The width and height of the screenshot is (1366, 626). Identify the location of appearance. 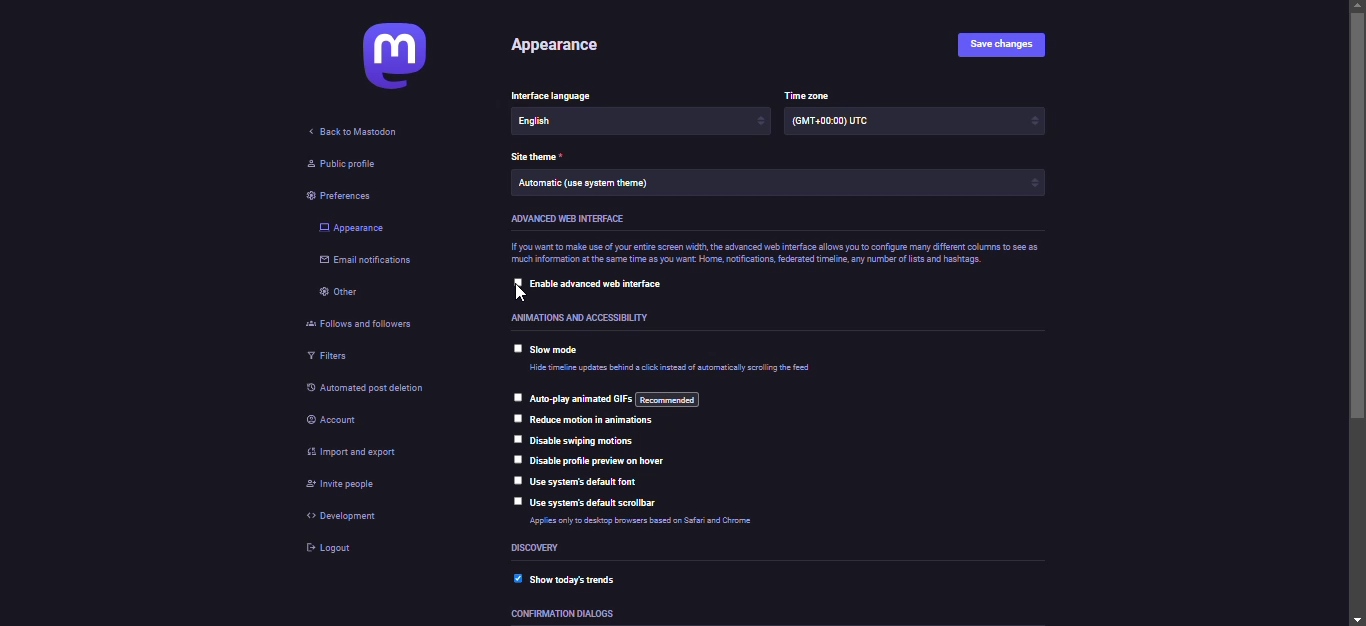
(349, 226).